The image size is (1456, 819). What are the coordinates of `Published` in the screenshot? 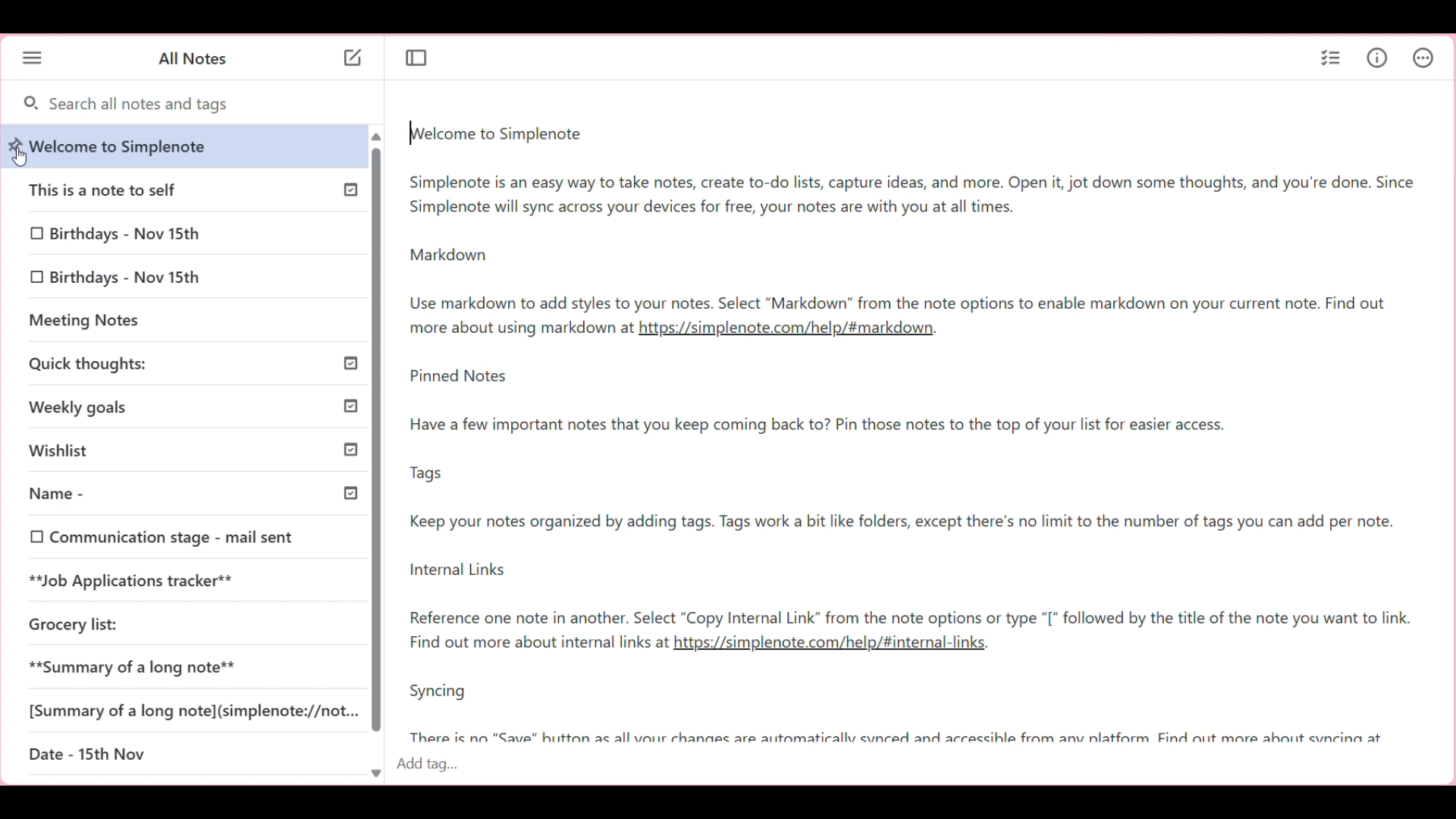 It's located at (346, 190).